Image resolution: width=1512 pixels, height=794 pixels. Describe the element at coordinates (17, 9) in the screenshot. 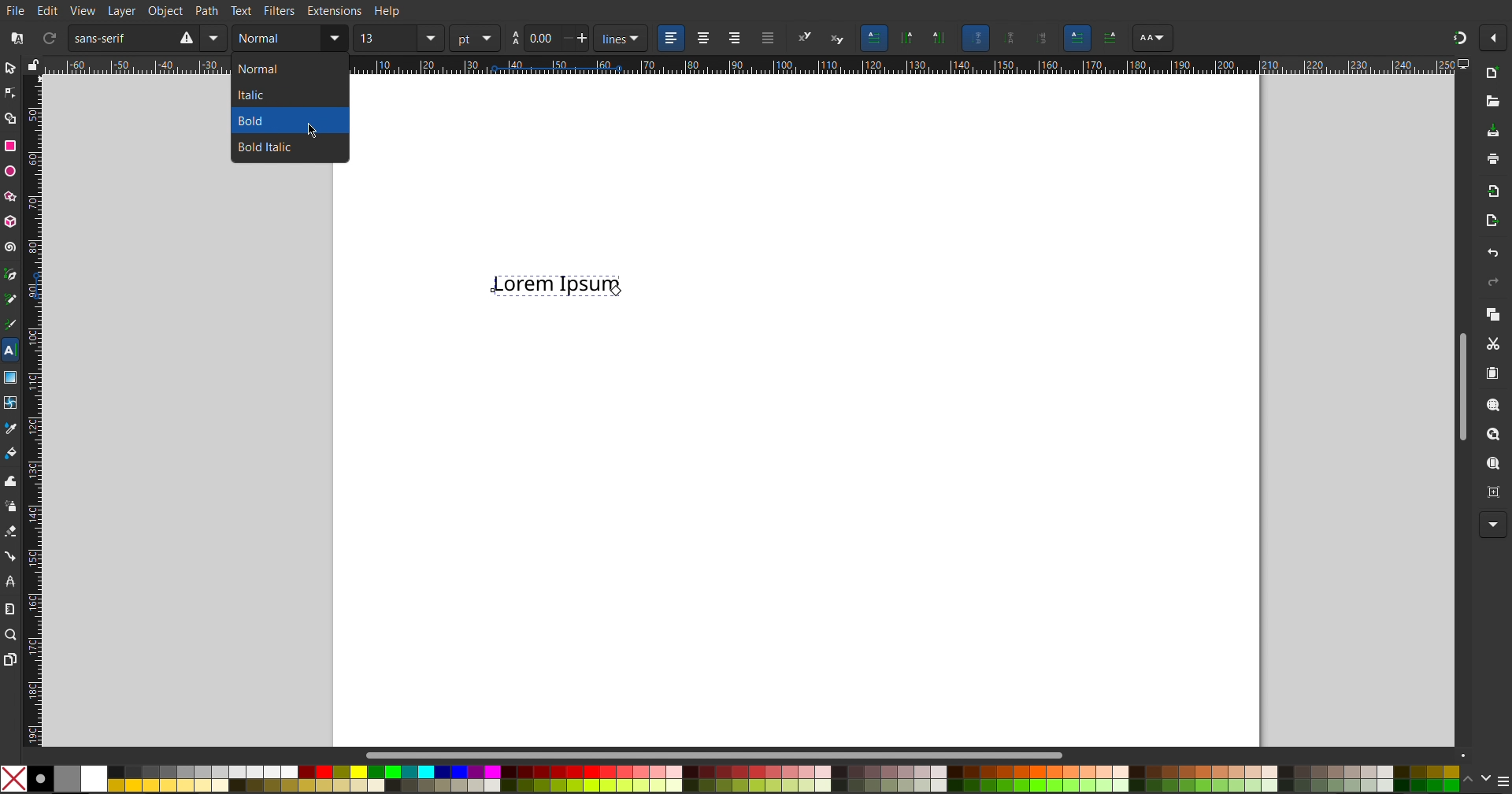

I see `File` at that location.